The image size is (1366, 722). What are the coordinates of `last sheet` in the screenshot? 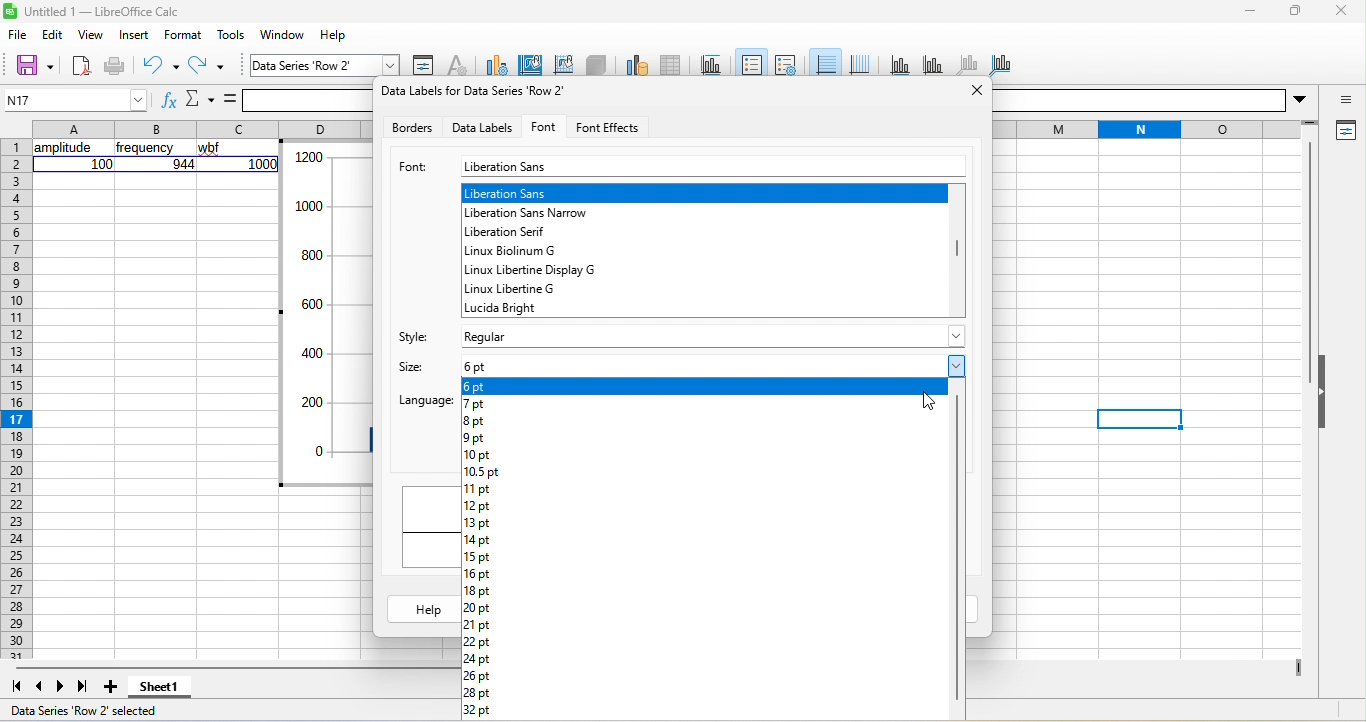 It's located at (86, 688).